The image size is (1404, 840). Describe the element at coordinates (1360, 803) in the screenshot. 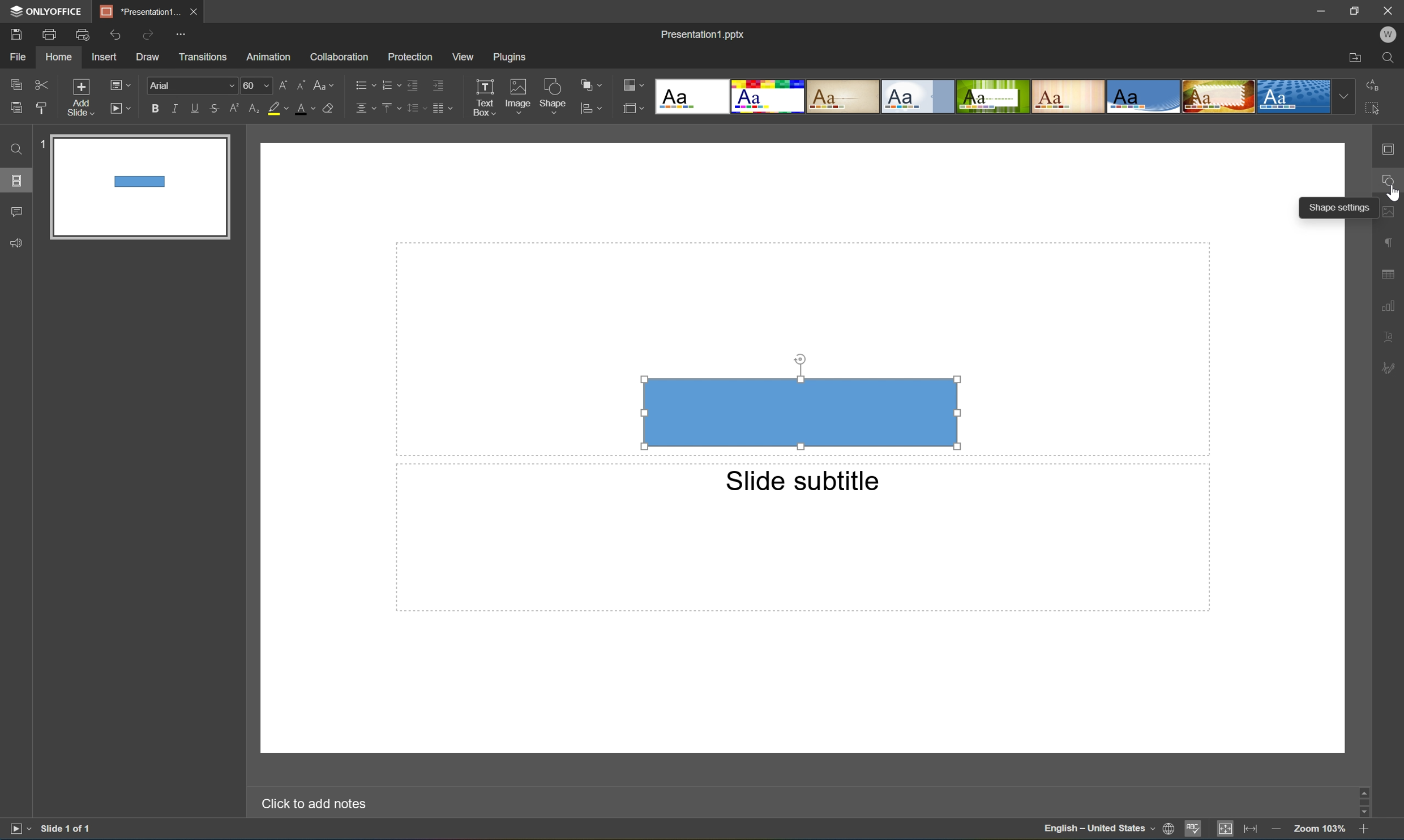

I see `Scroll Bar` at that location.